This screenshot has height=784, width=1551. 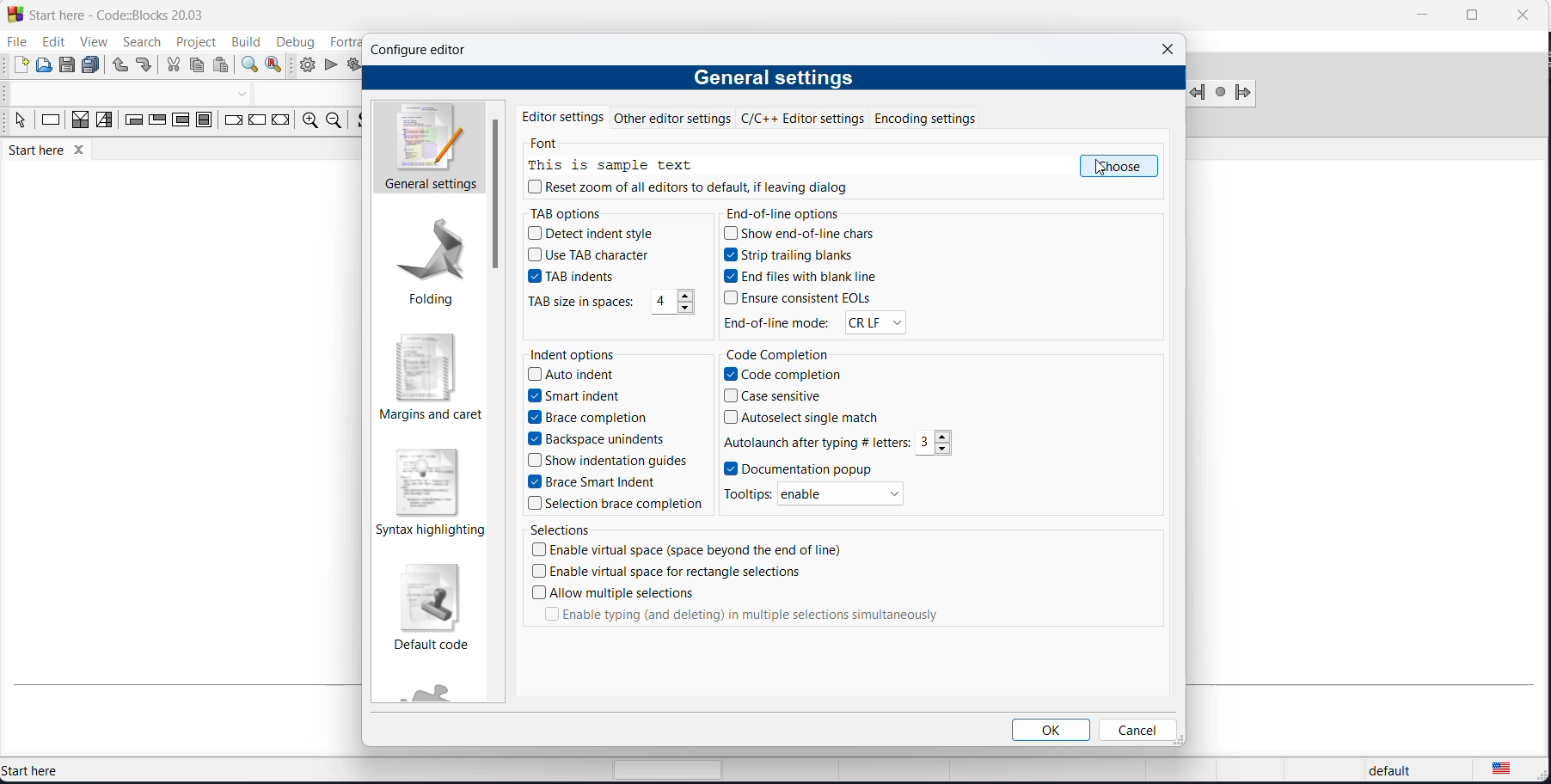 What do you see at coordinates (244, 41) in the screenshot?
I see `build` at bounding box center [244, 41].